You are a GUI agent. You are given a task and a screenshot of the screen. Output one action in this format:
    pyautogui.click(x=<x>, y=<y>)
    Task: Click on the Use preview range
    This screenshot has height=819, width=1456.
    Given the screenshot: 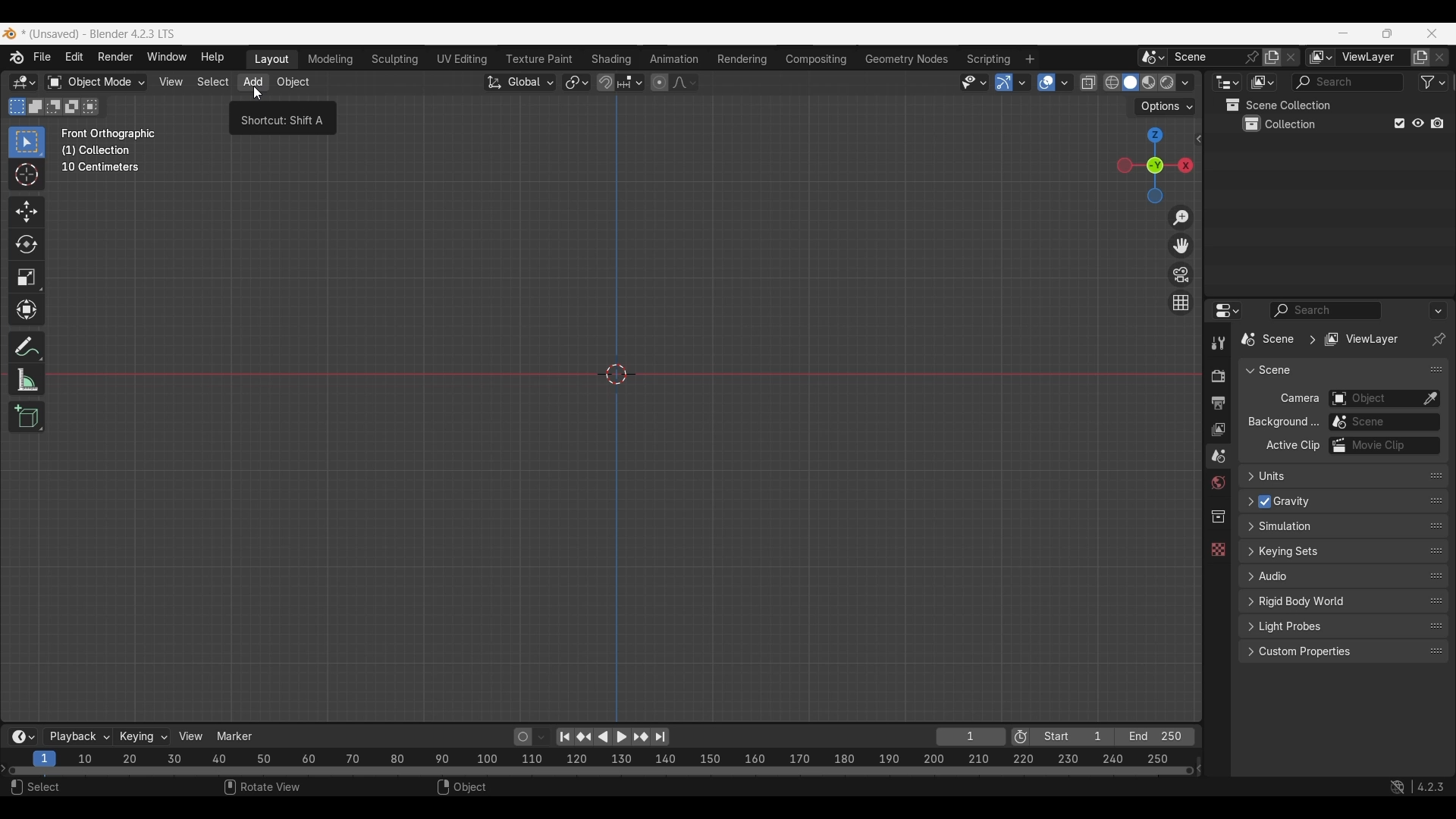 What is the action you would take?
    pyautogui.click(x=1021, y=737)
    